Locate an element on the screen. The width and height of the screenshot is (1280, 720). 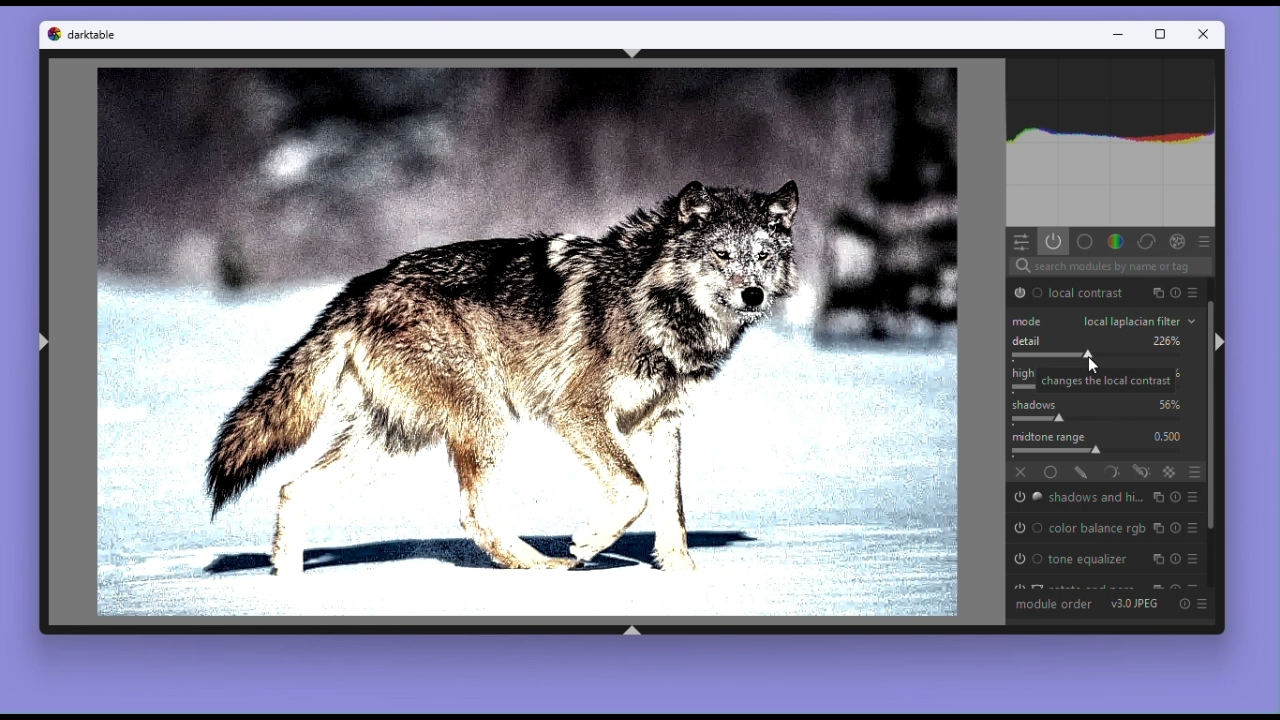
'color balance rgb' is switched off is located at coordinates (1026, 528).